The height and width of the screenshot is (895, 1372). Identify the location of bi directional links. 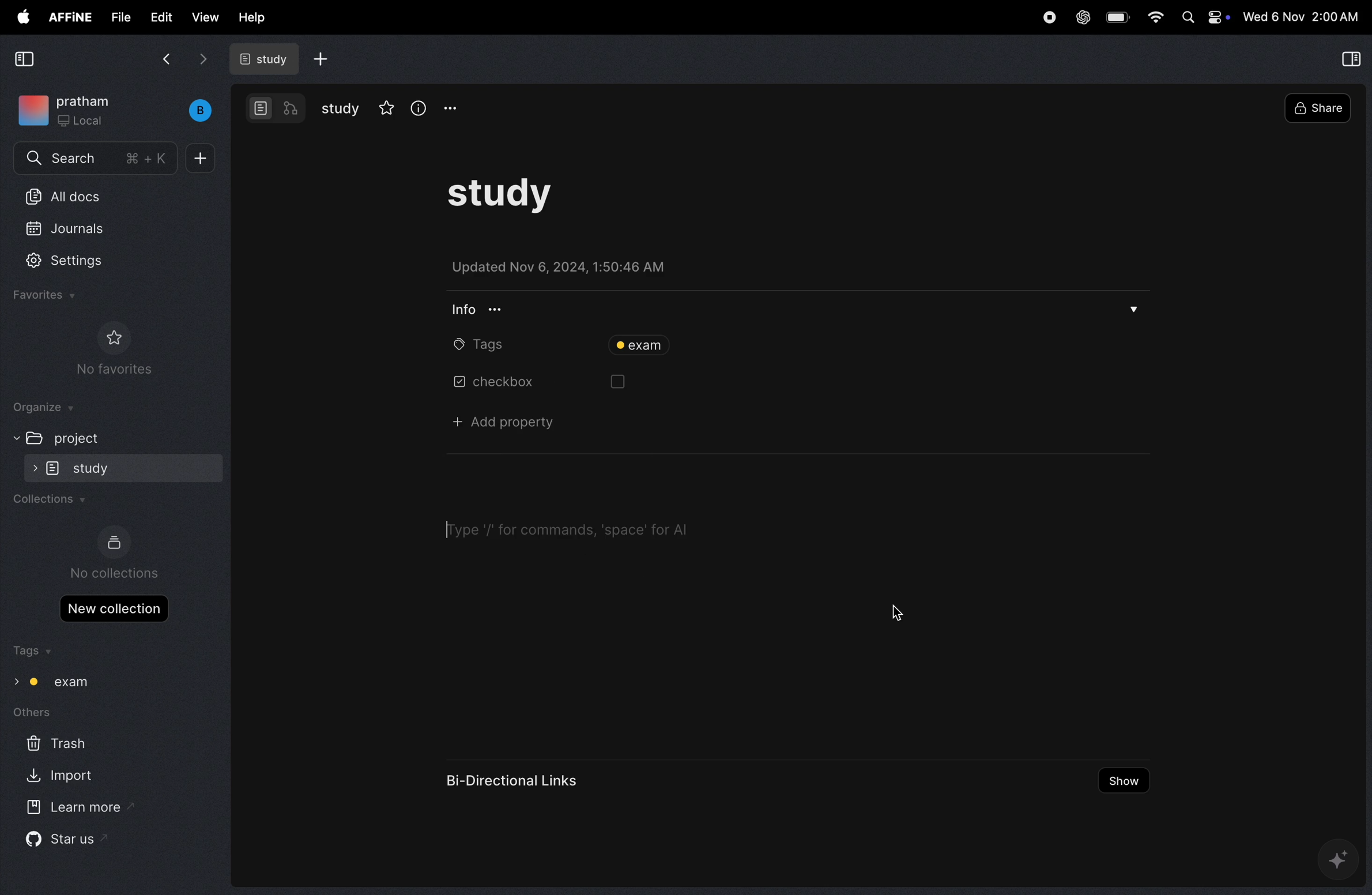
(517, 782).